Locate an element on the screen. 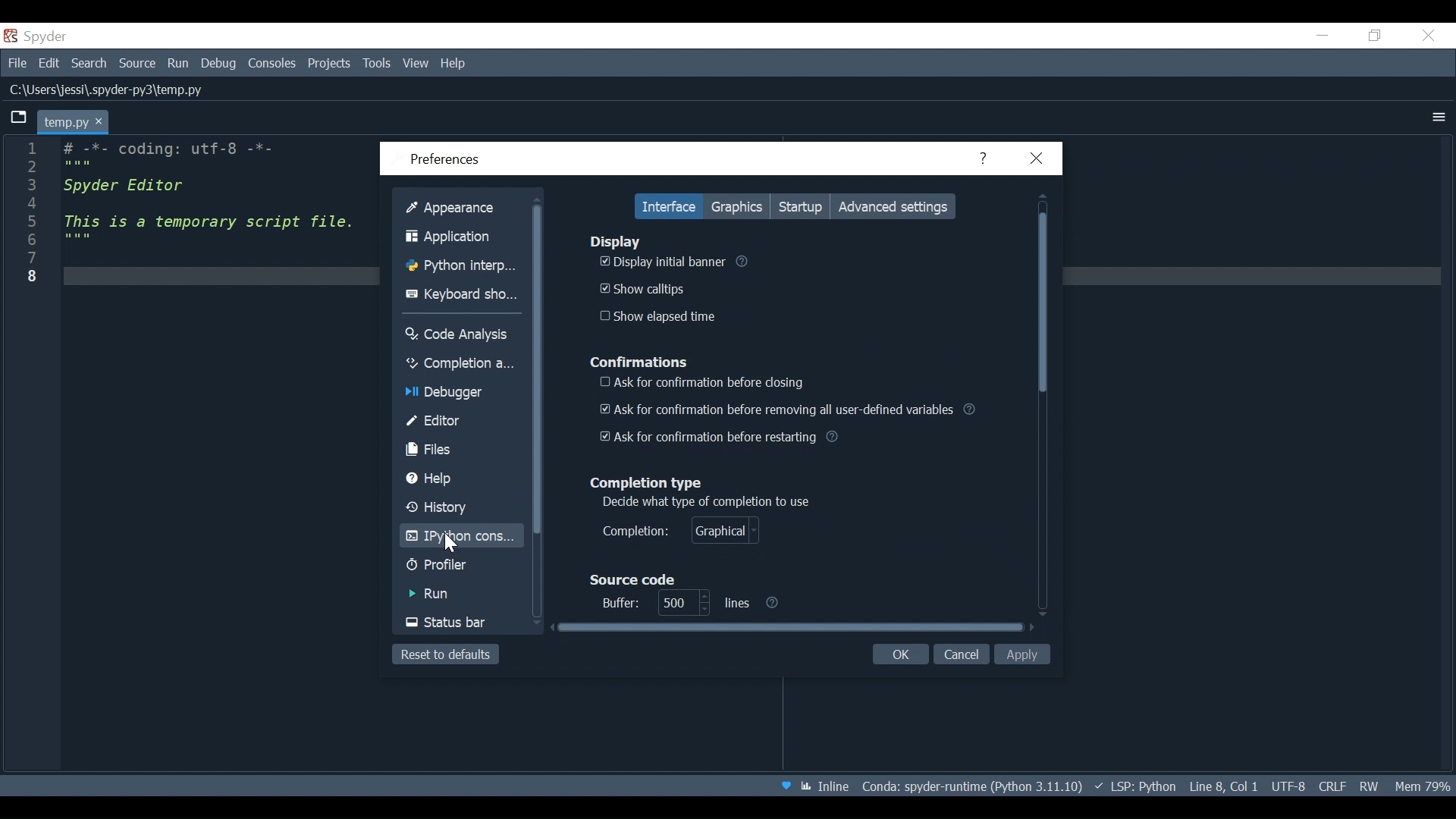  Appearance is located at coordinates (459, 209).